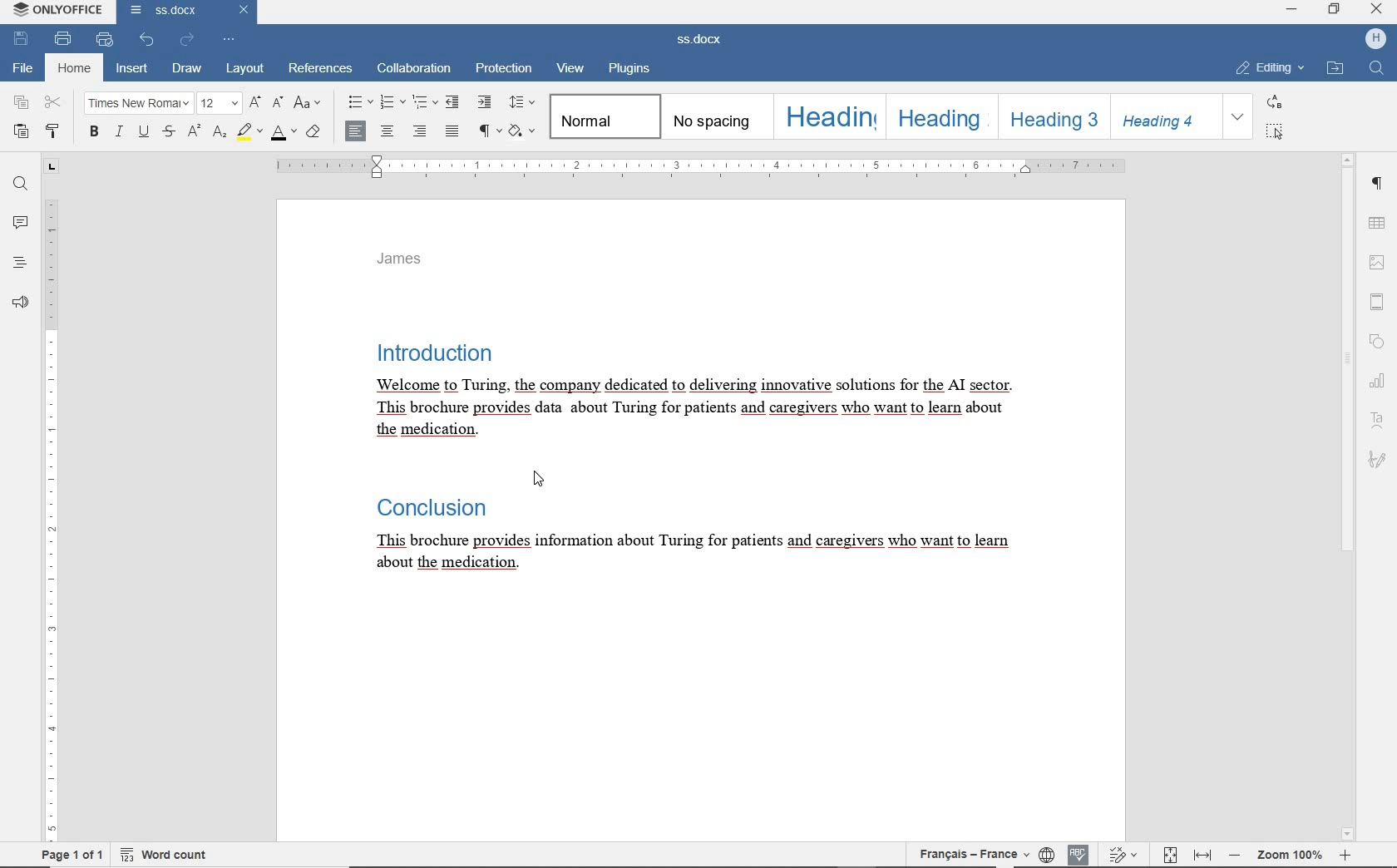  I want to click on TRACK CHANGES, so click(1127, 853).